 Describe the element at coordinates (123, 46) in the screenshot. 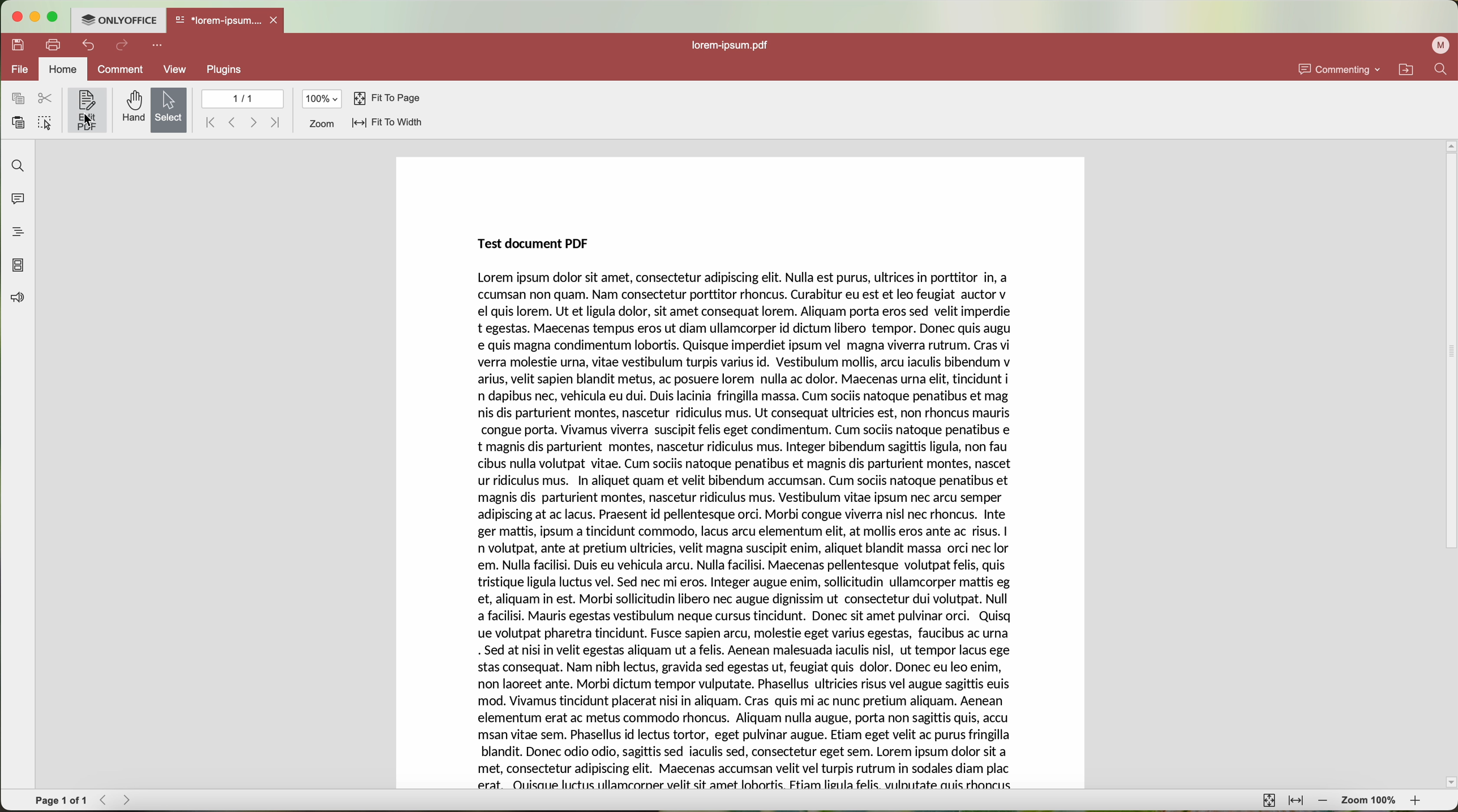

I see `redo` at that location.